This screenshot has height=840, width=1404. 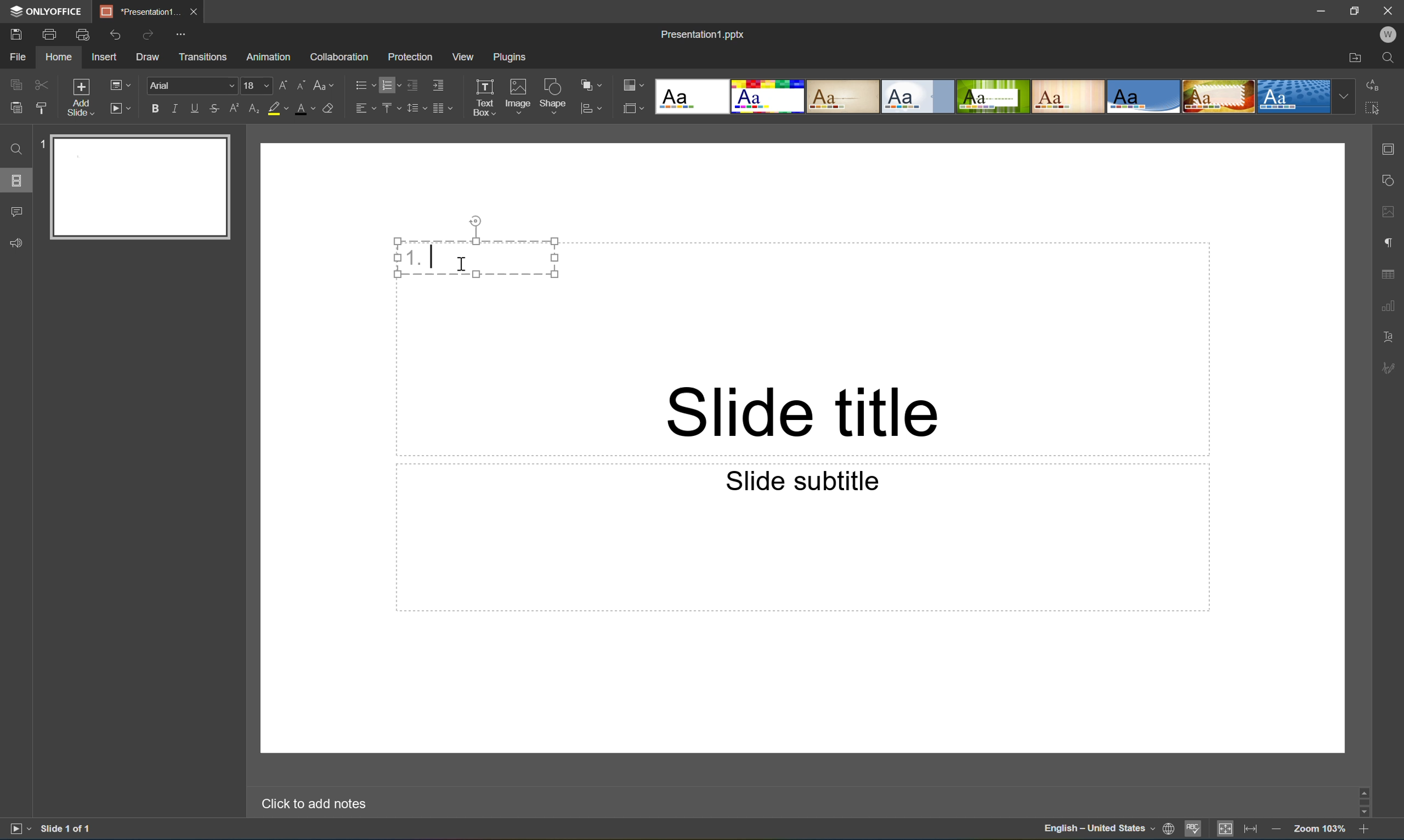 What do you see at coordinates (410, 57) in the screenshot?
I see `Protection` at bounding box center [410, 57].